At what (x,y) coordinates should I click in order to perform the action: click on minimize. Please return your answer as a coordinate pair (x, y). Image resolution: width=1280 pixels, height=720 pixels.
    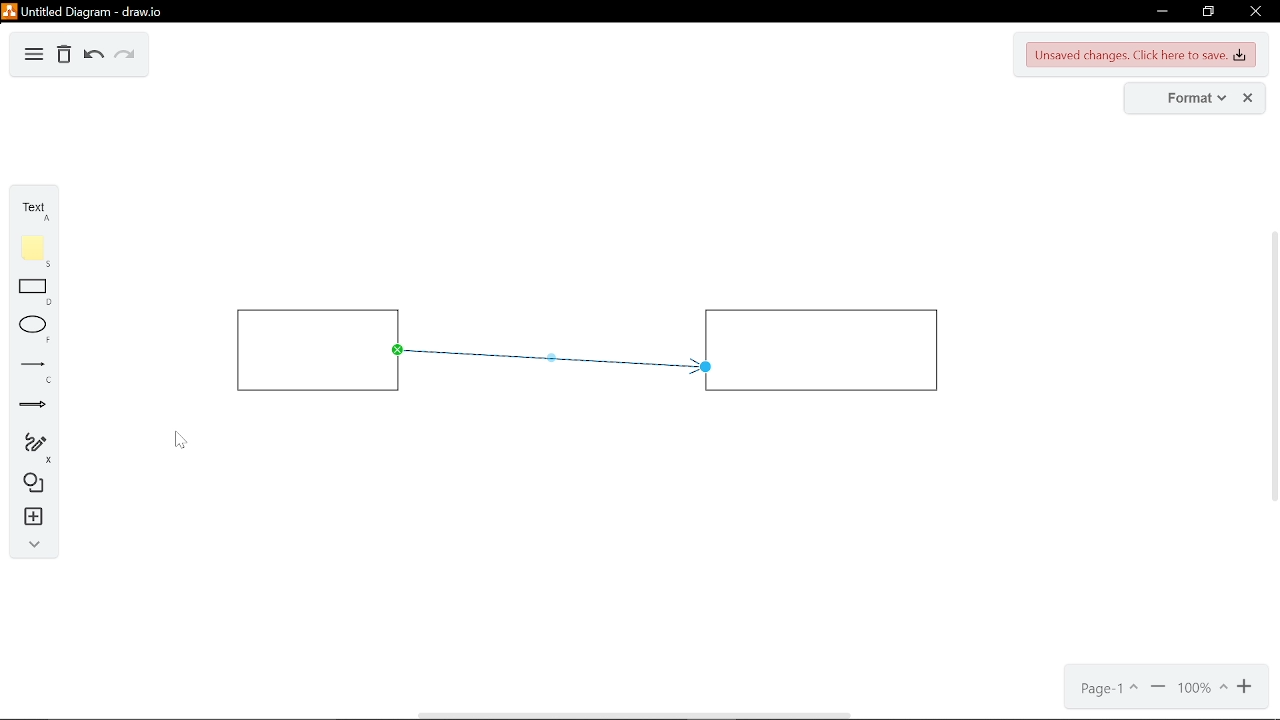
    Looking at the image, I should click on (1165, 11).